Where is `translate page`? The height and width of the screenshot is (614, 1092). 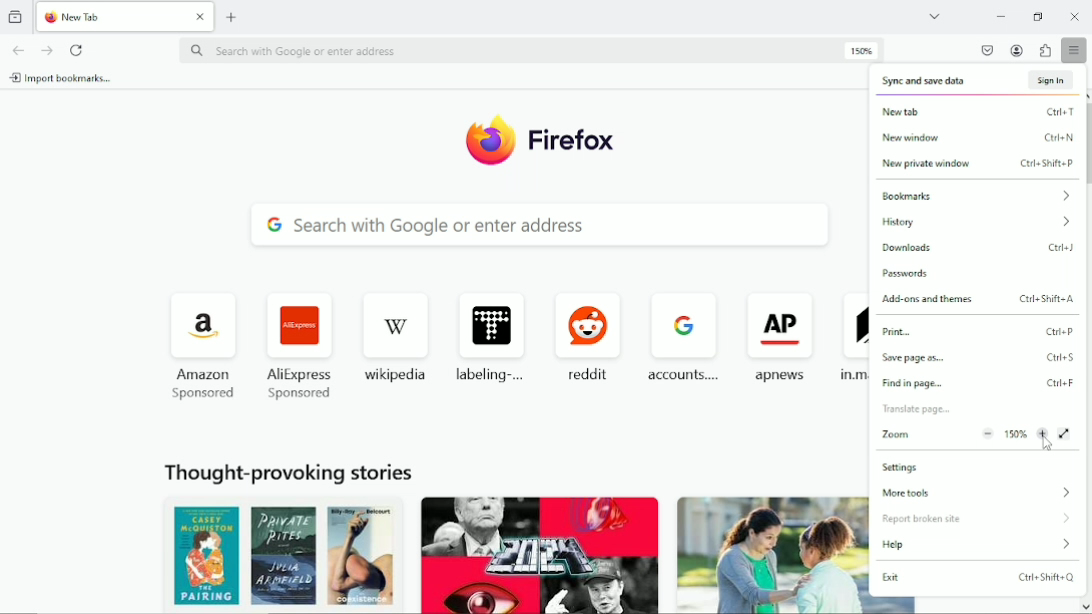 translate page is located at coordinates (916, 410).